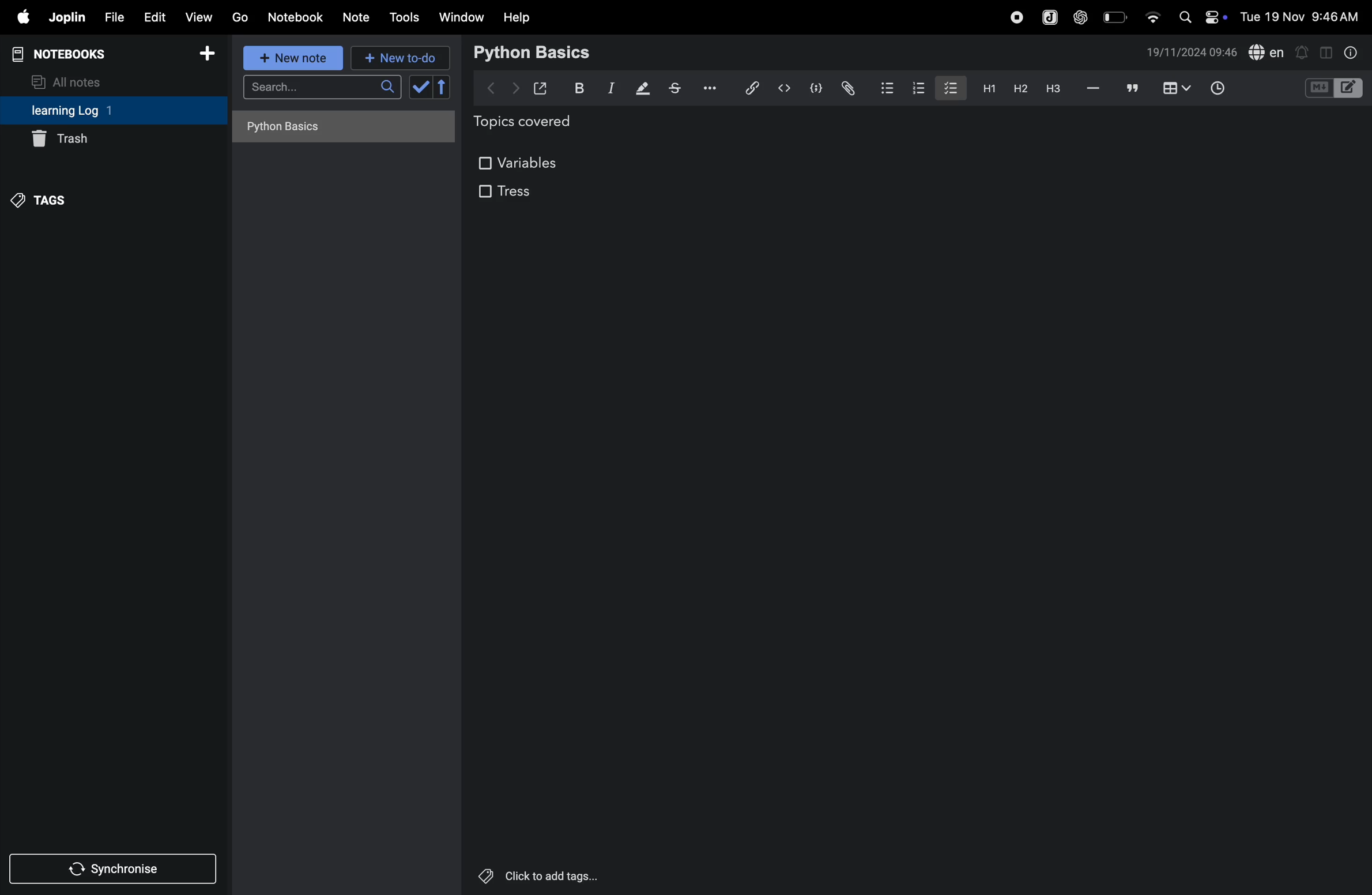  Describe the element at coordinates (541, 88) in the screenshot. I see `open` at that location.